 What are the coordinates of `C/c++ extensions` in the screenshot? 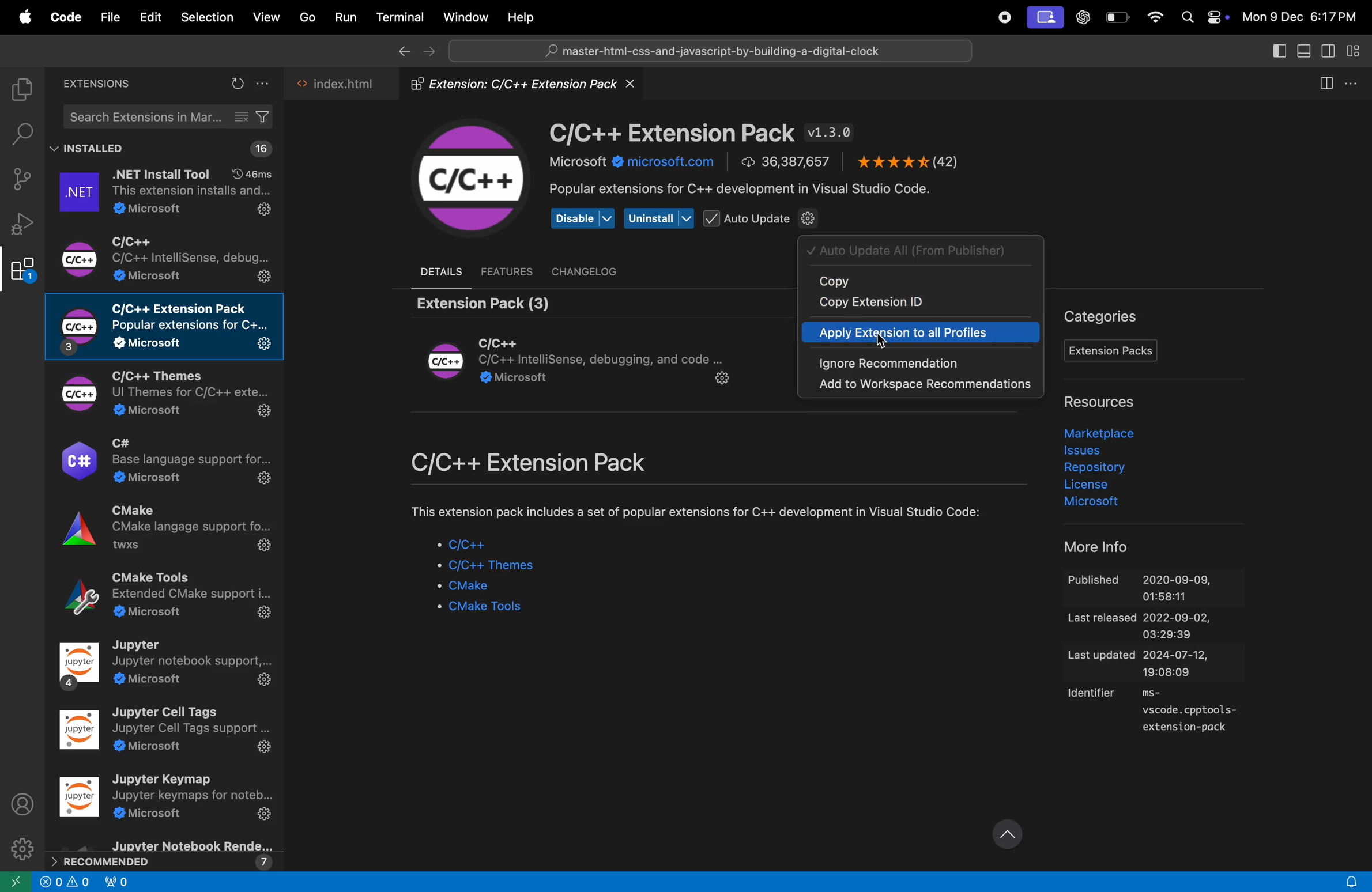 It's located at (554, 464).